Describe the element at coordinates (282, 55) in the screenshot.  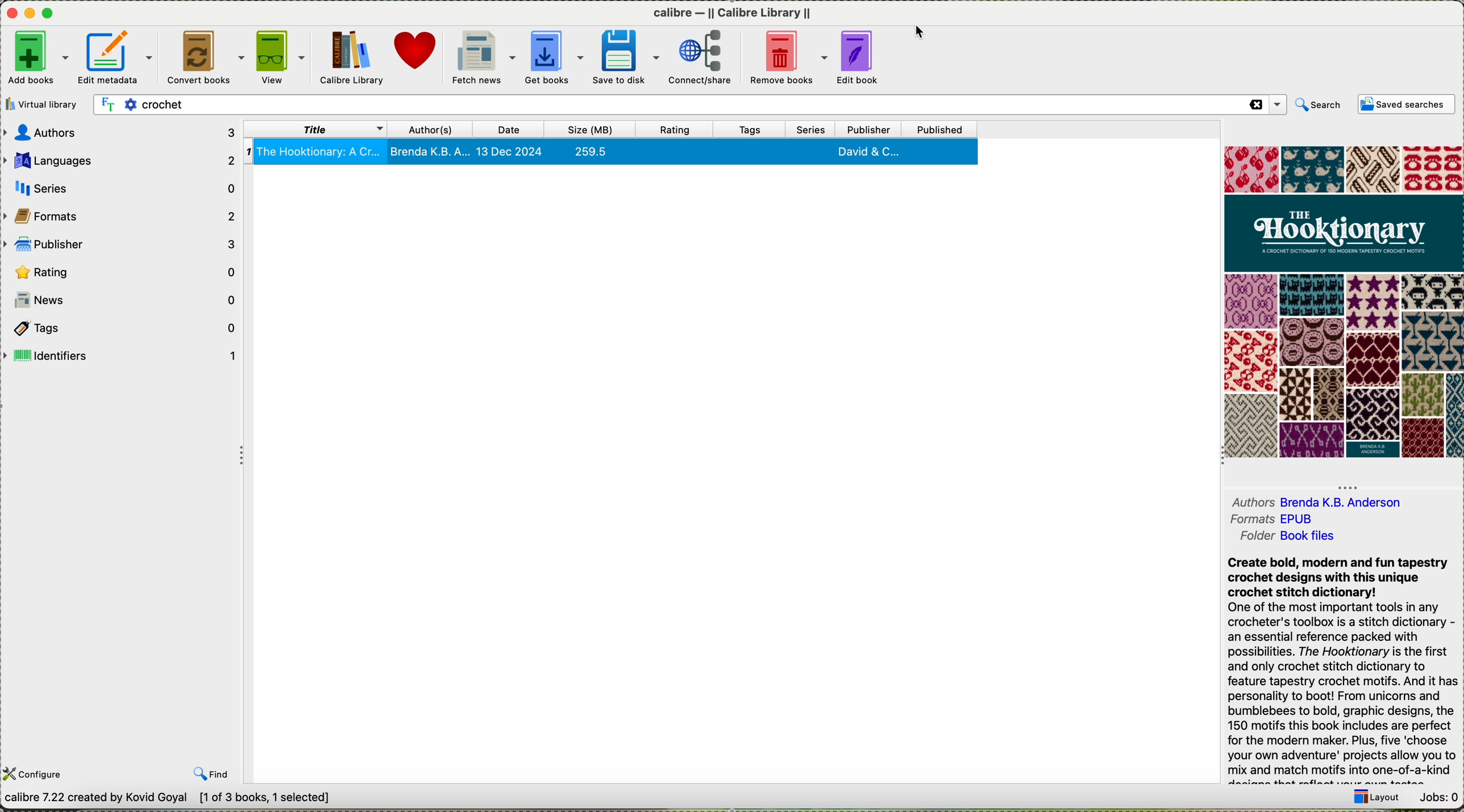
I see `view` at that location.